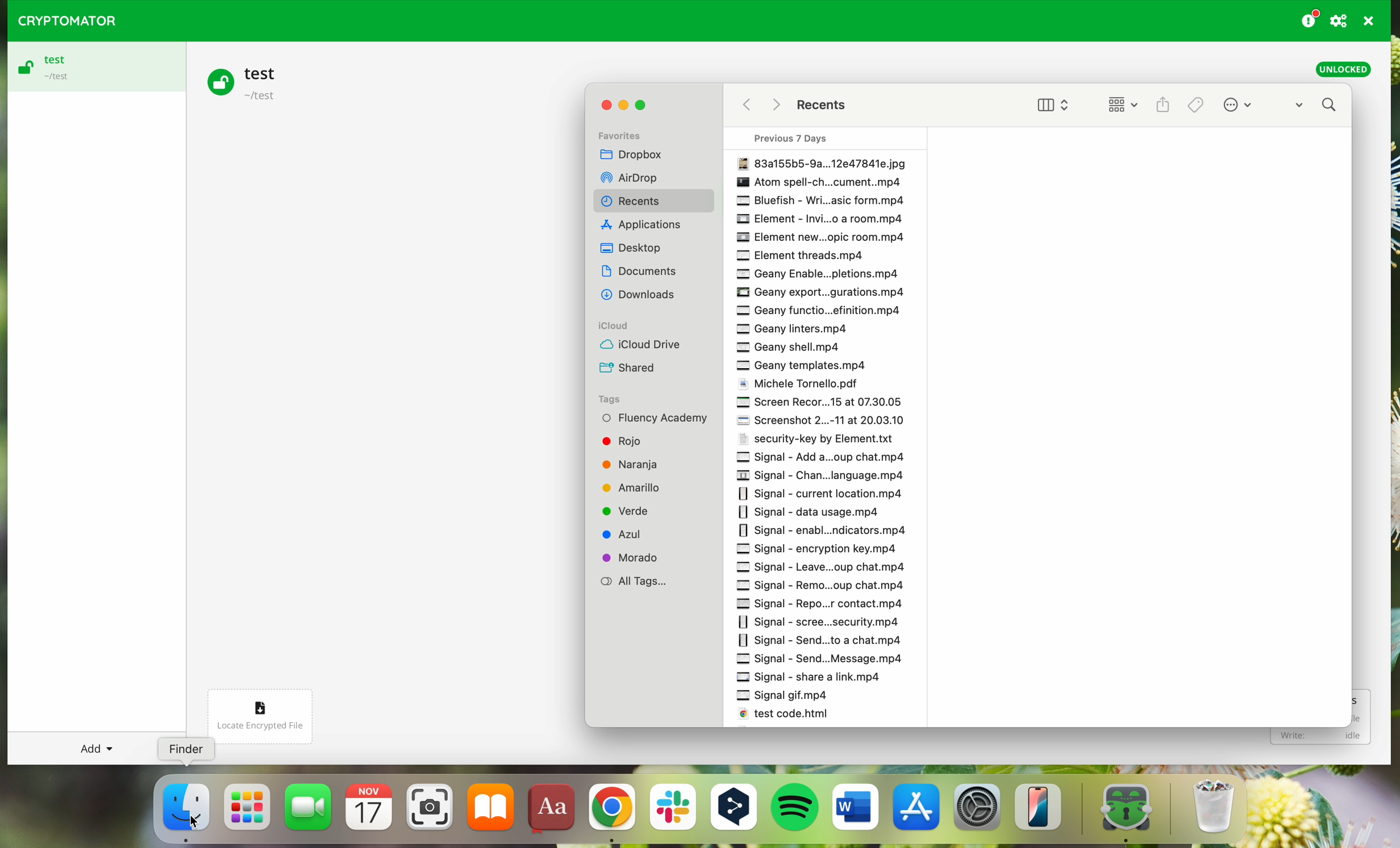 The width and height of the screenshot is (1400, 848). I want to click on Verde, so click(630, 510).